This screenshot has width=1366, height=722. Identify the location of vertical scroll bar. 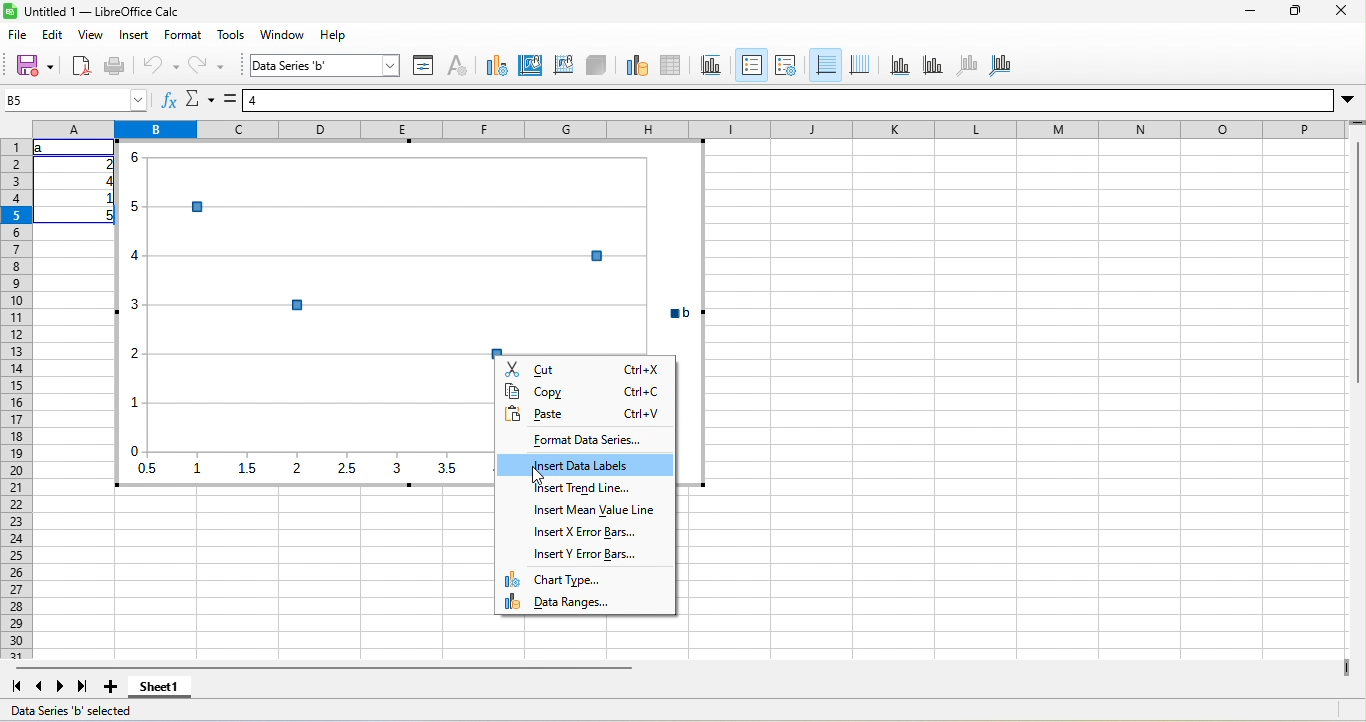
(1357, 256).